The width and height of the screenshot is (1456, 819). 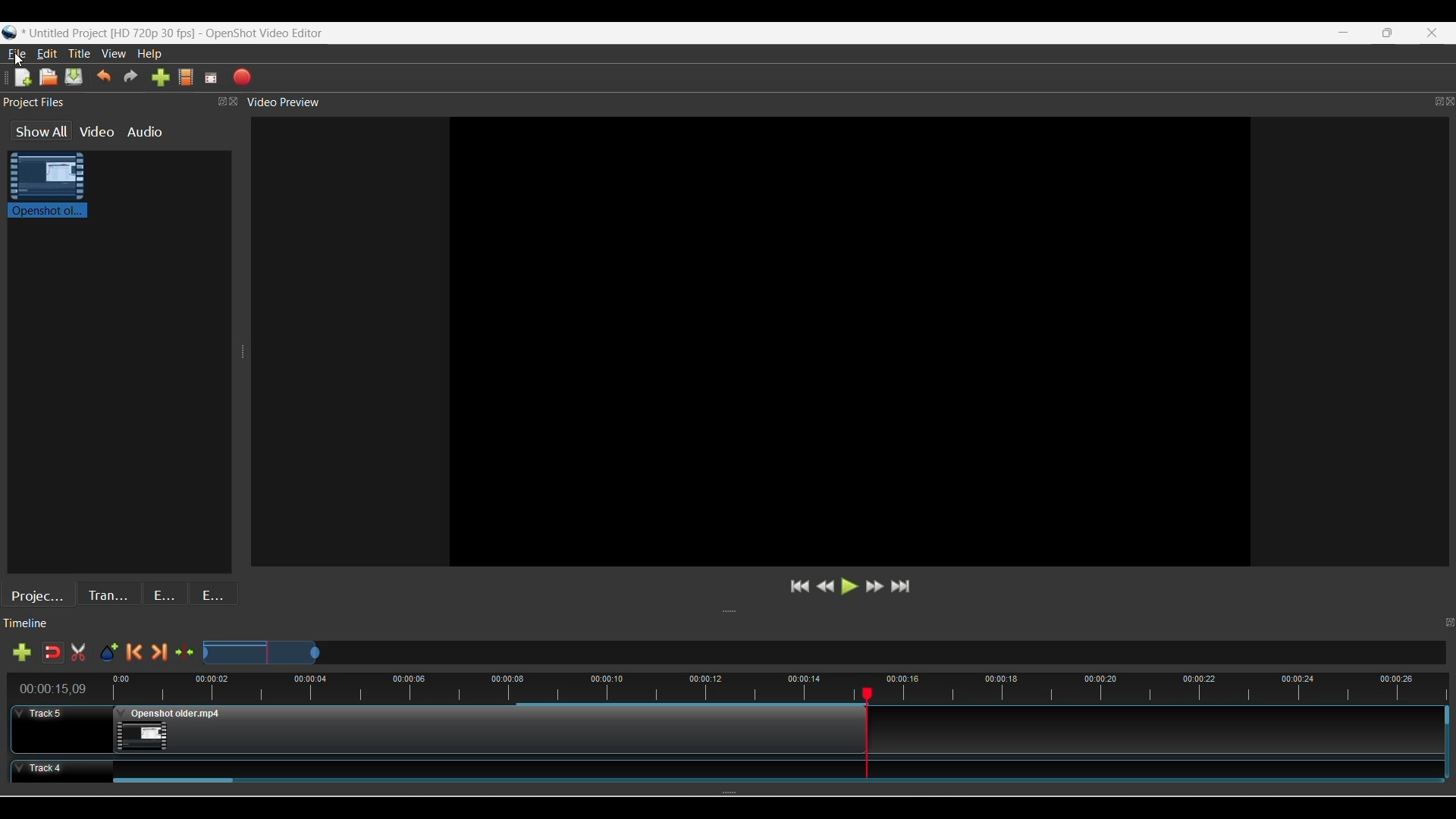 I want to click on Previous marker, so click(x=133, y=652).